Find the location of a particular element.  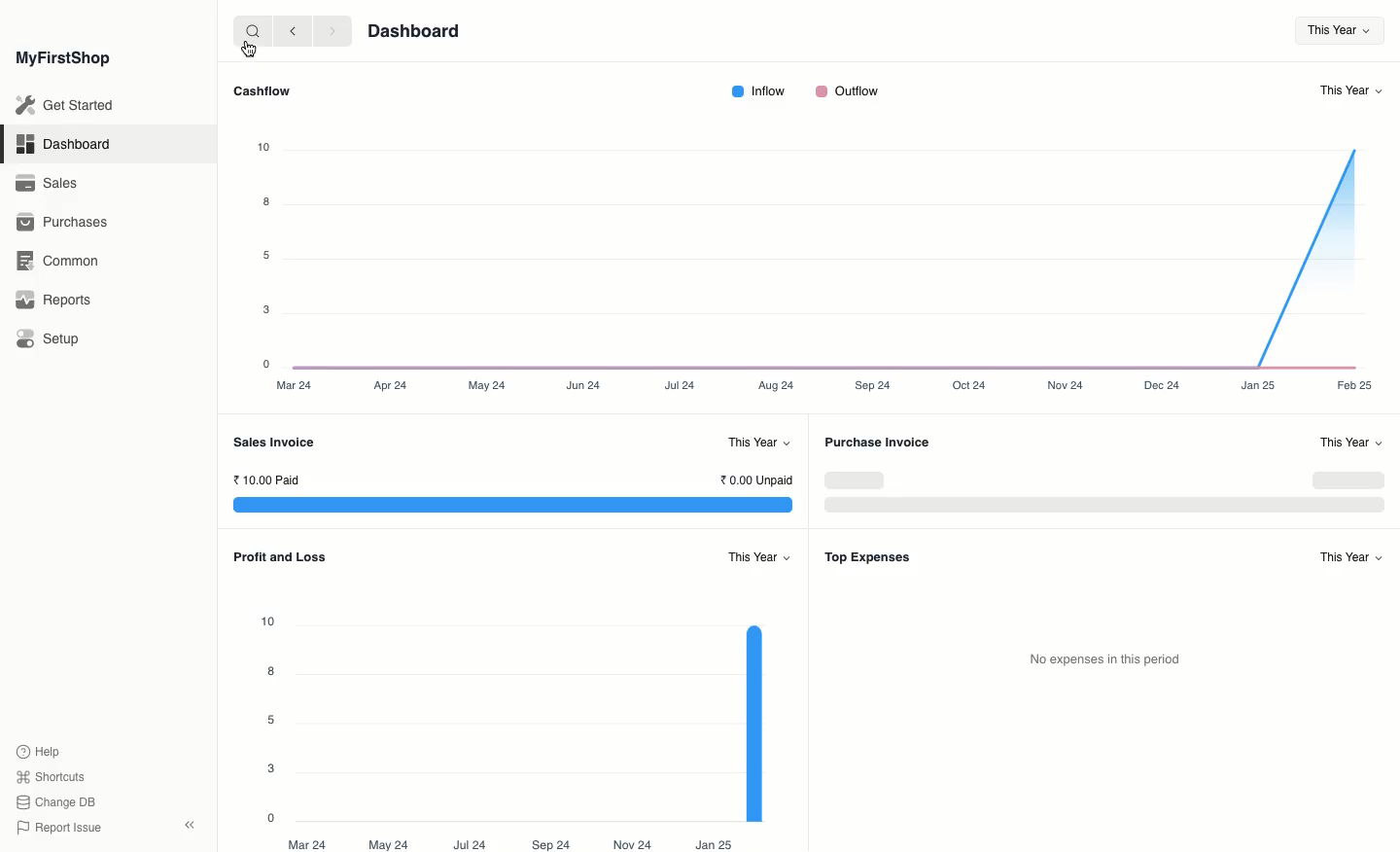

Apr2a is located at coordinates (391, 384).